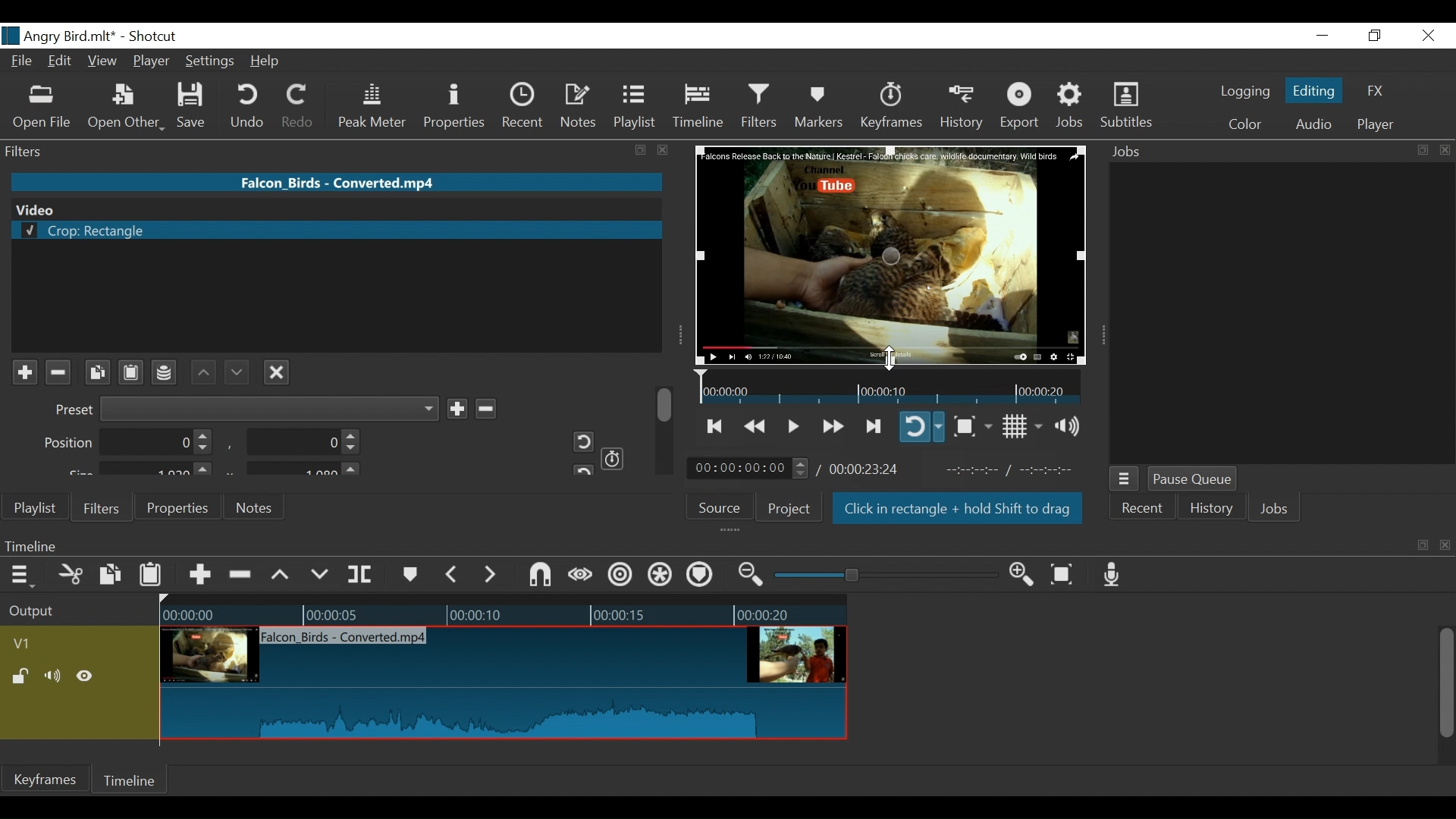 This screenshot has height=819, width=1456. Describe the element at coordinates (131, 780) in the screenshot. I see `Timeline` at that location.